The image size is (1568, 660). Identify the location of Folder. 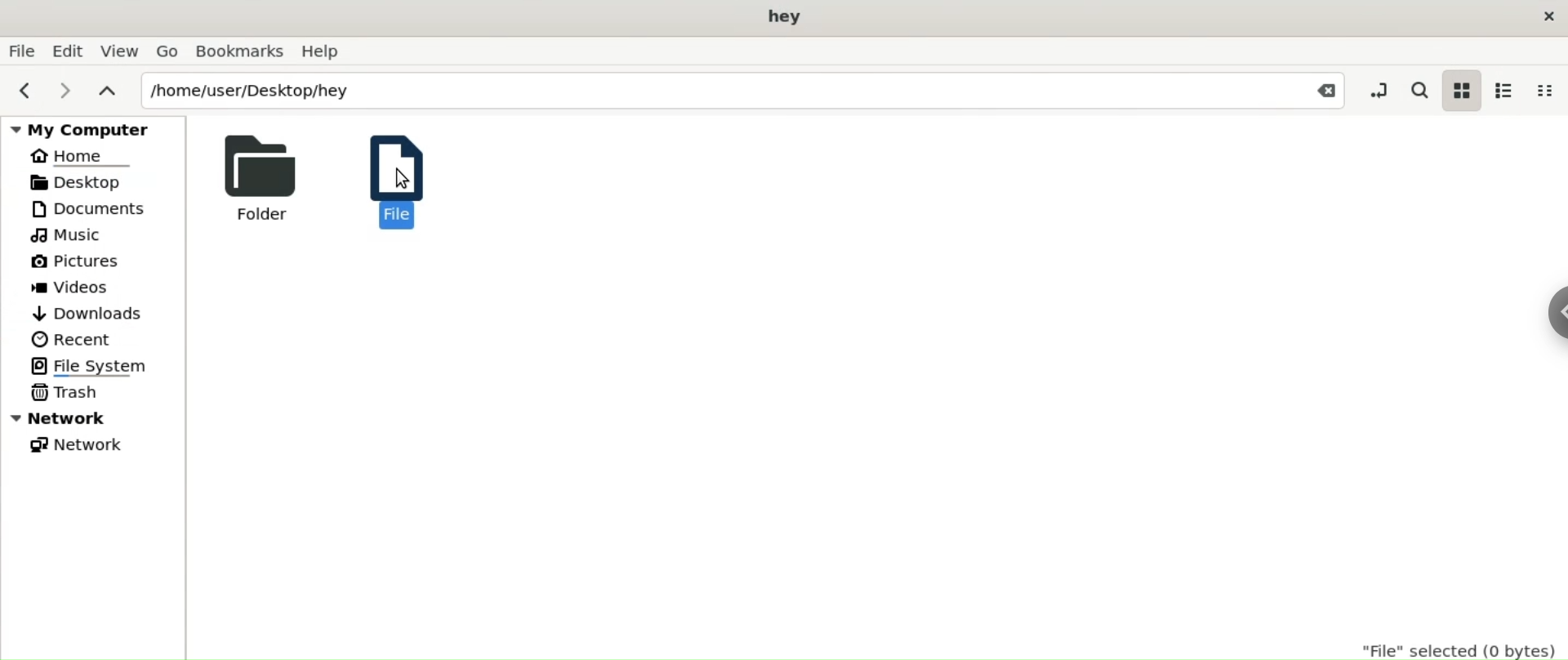
(267, 178).